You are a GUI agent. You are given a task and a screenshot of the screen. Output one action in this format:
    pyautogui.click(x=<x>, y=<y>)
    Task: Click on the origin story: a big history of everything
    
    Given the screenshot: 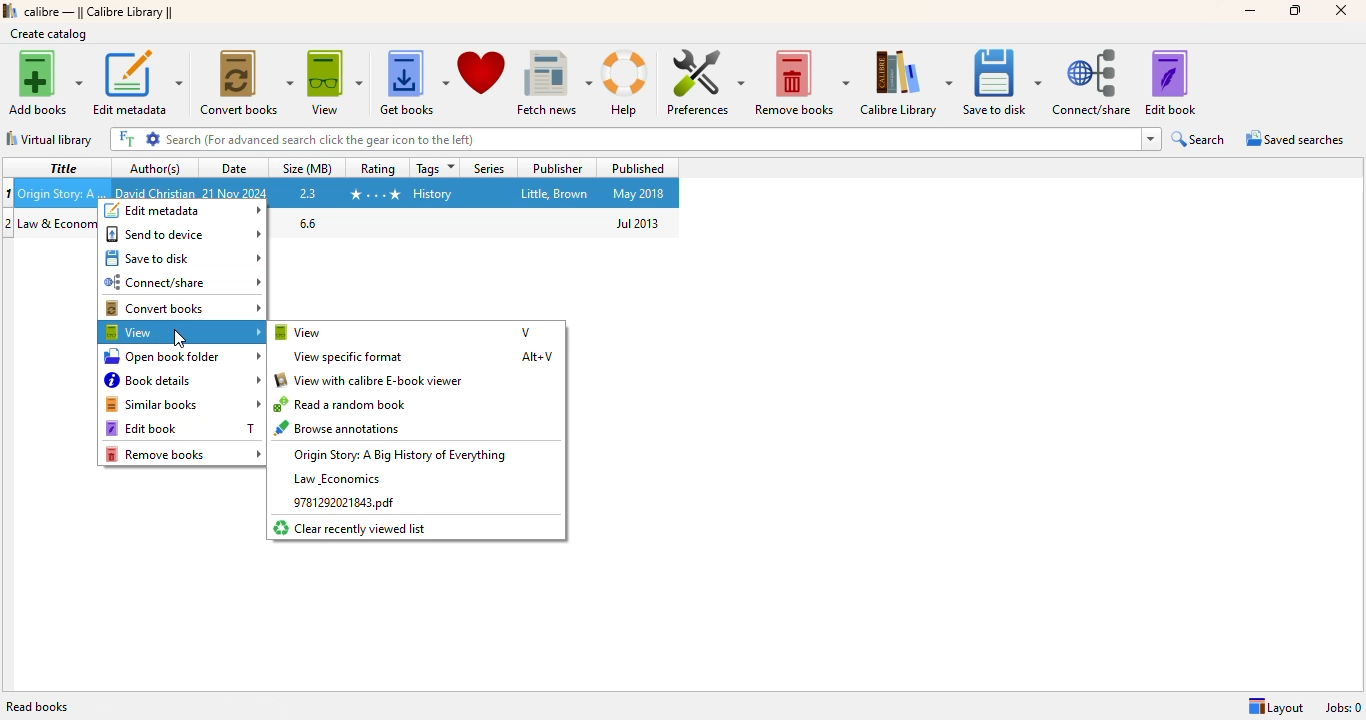 What is the action you would take?
    pyautogui.click(x=400, y=454)
    